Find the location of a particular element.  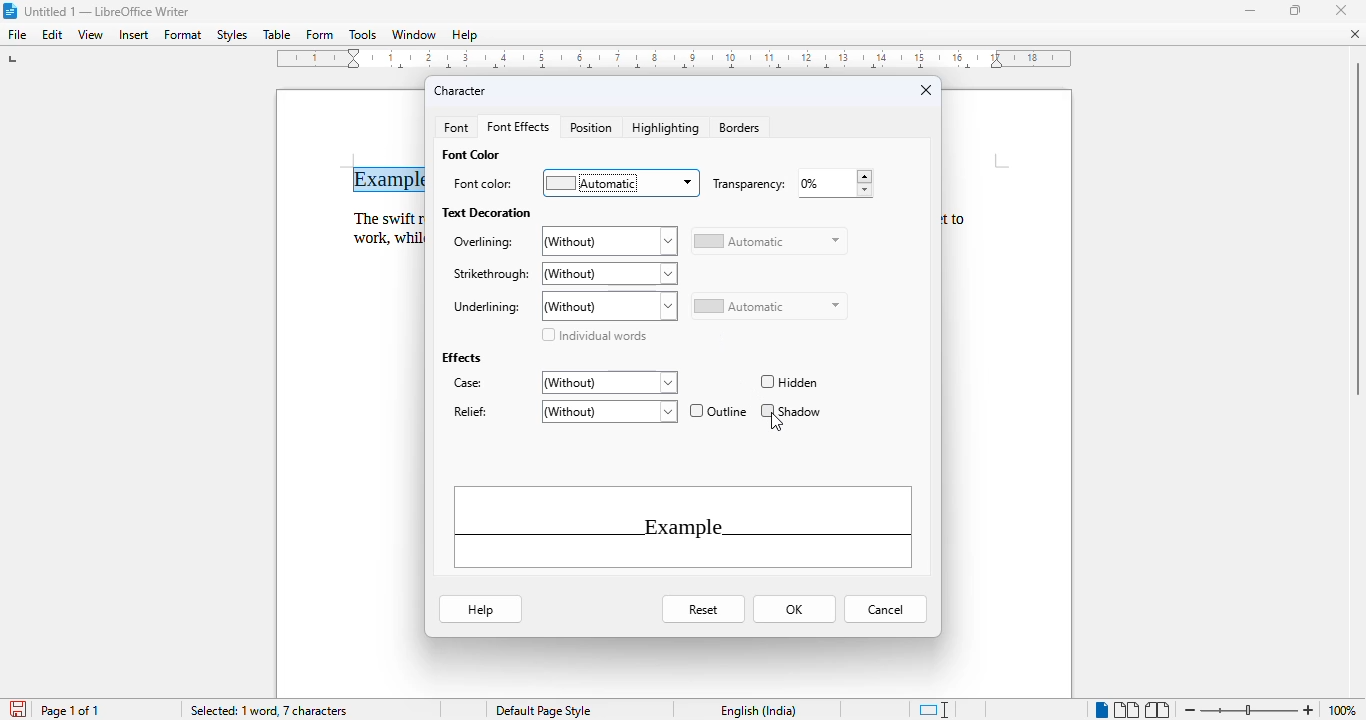

relief: (Without) is located at coordinates (563, 411).